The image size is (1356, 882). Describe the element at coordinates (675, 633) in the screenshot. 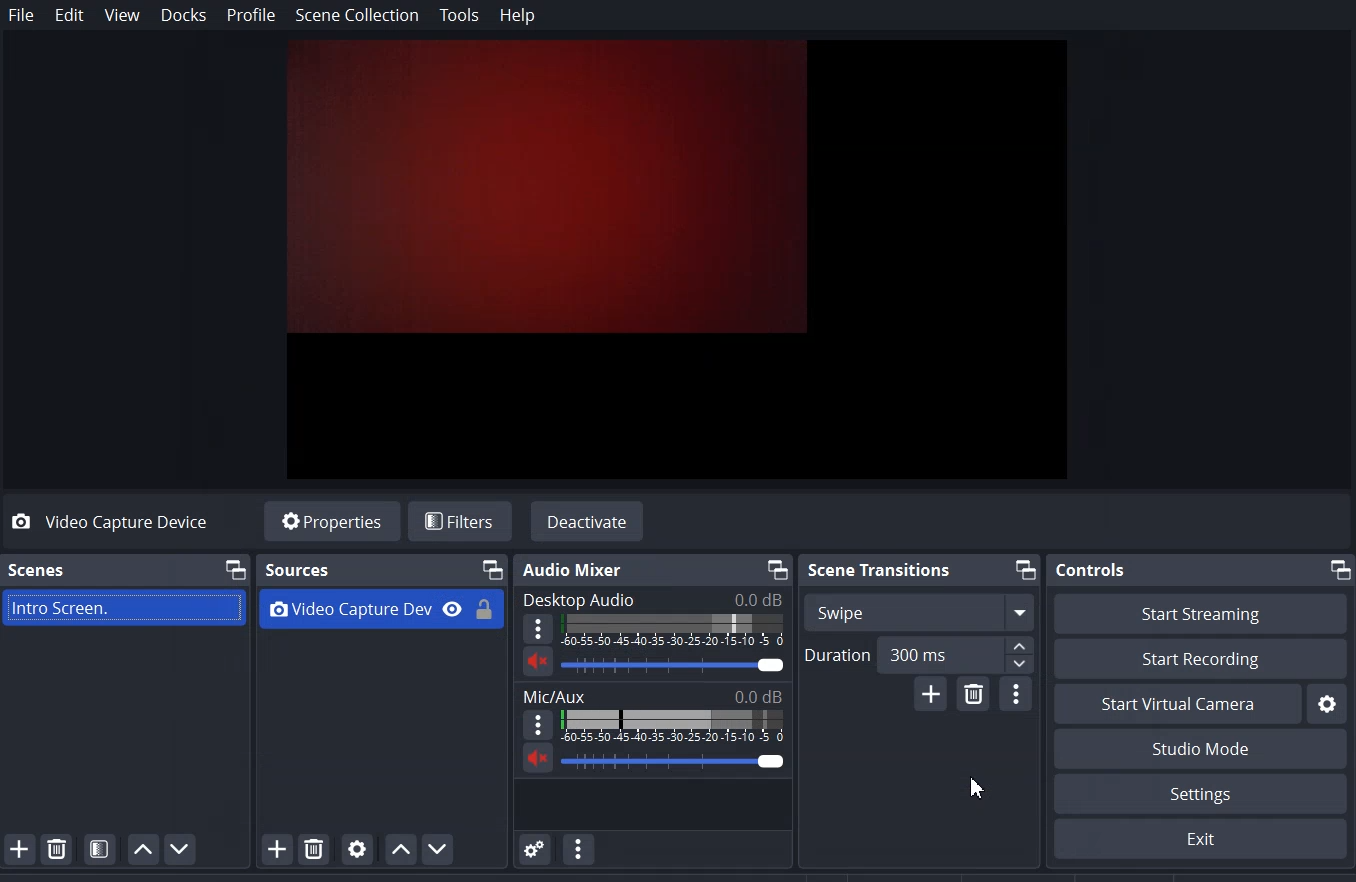

I see `Volume Indicator` at that location.